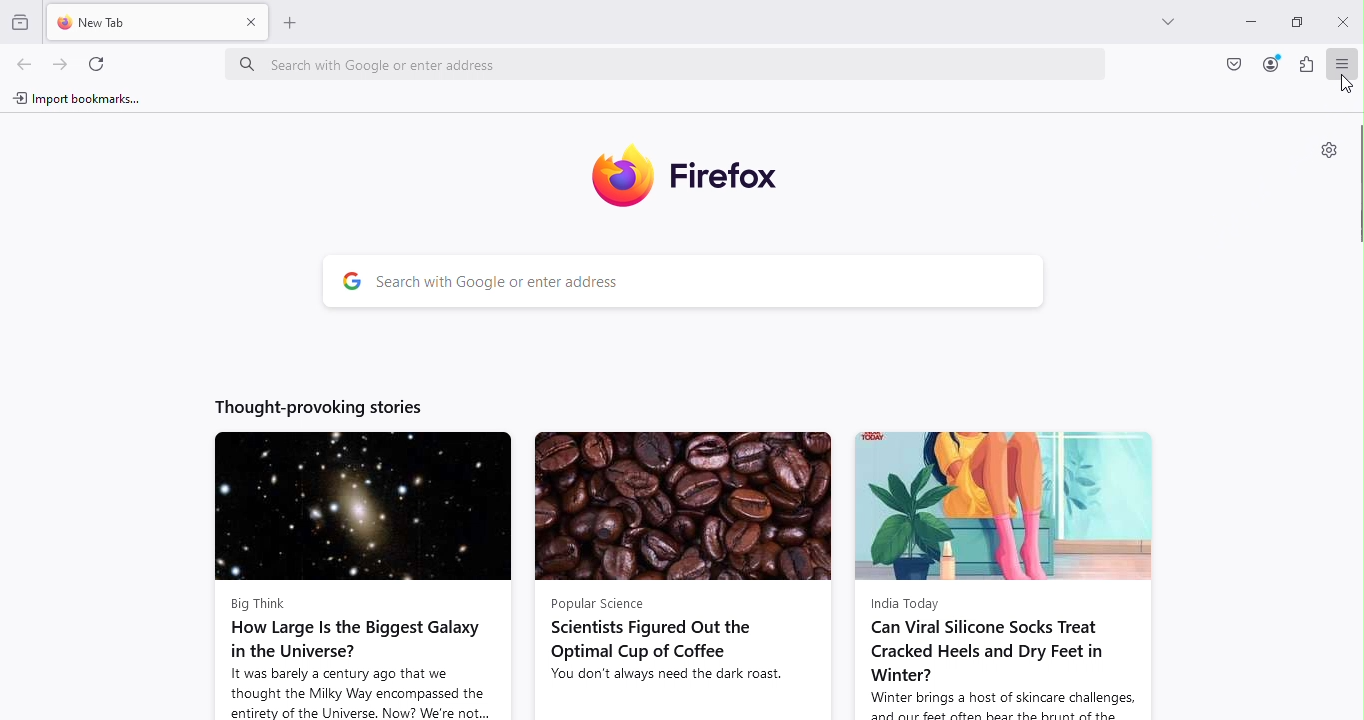 The image size is (1364, 720). What do you see at coordinates (79, 101) in the screenshot?
I see `Import bookmarks` at bounding box center [79, 101].